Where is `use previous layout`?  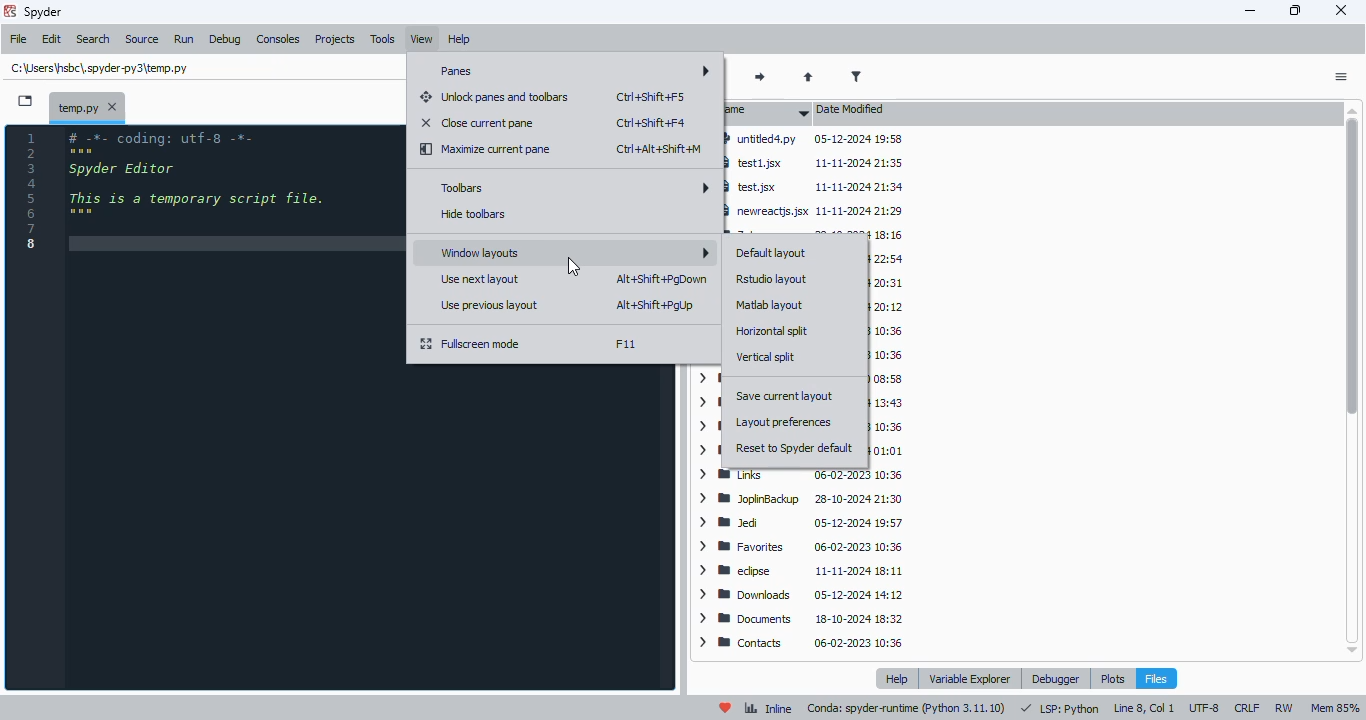 use previous layout is located at coordinates (487, 306).